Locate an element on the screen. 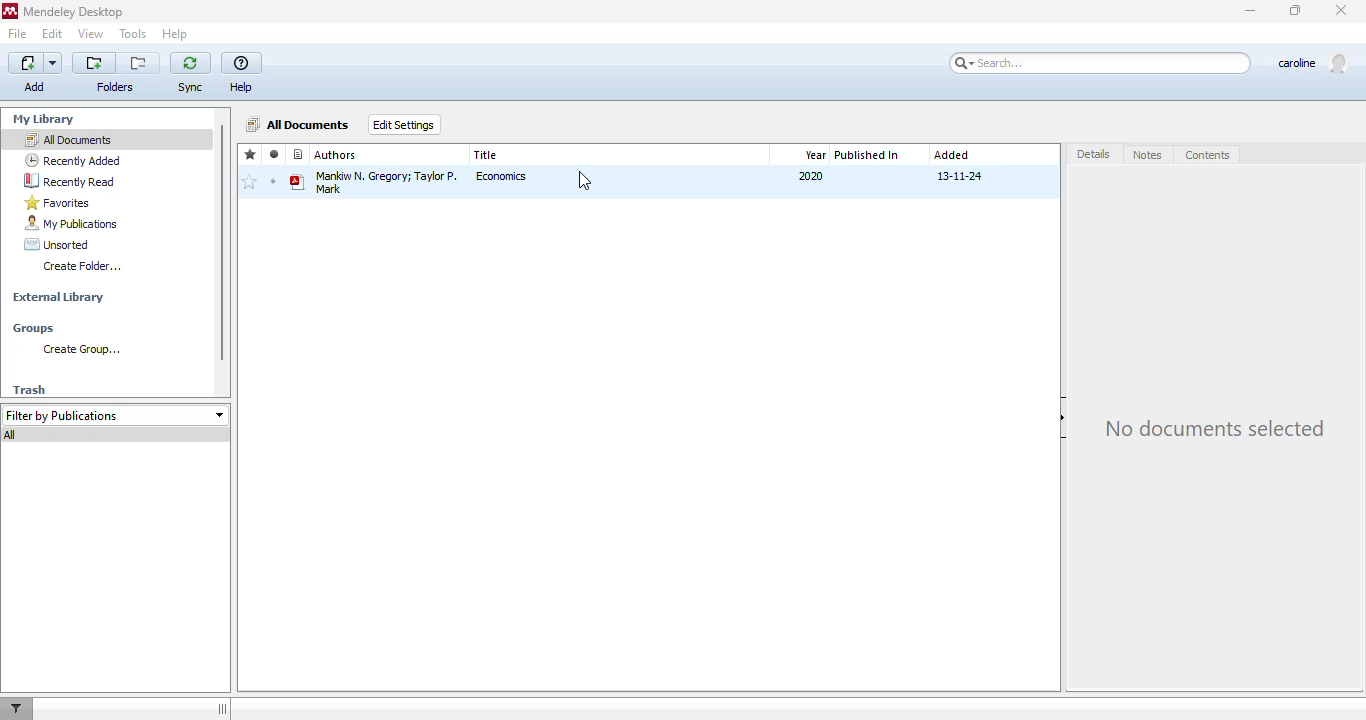  maximize is located at coordinates (1295, 10).